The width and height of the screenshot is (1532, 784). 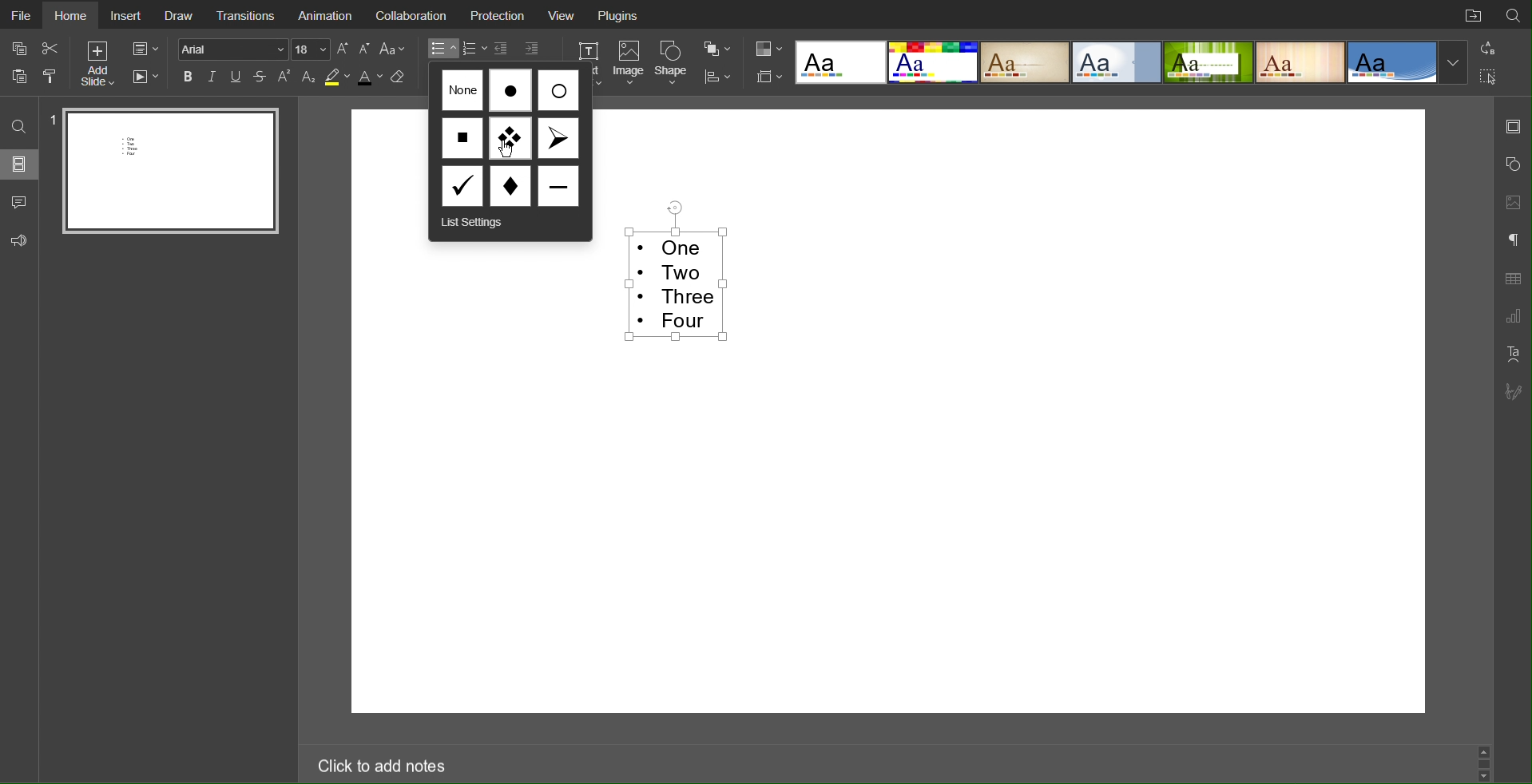 I want to click on Font, so click(x=234, y=49).